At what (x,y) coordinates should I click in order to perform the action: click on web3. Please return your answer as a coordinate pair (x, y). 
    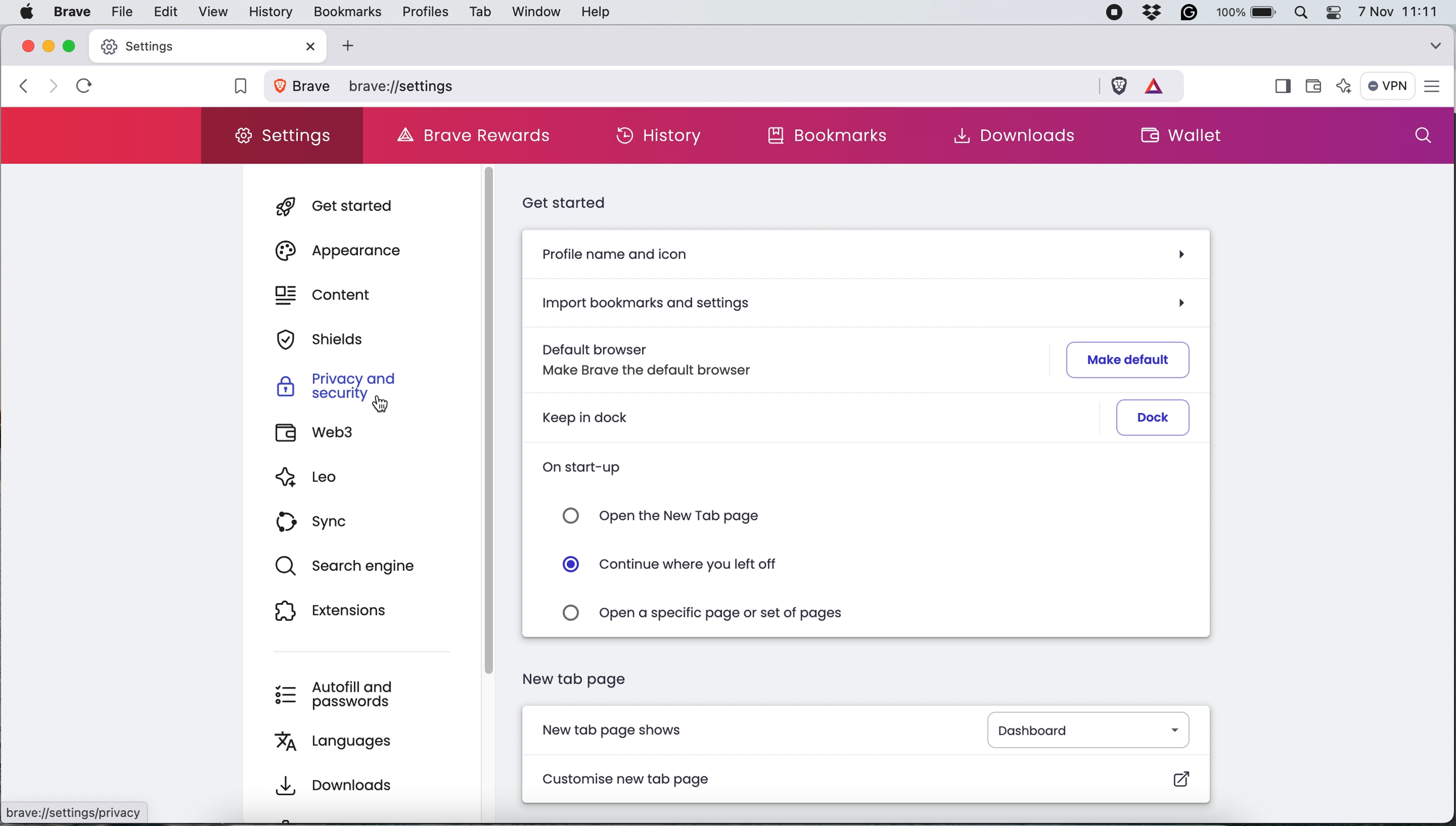
    Looking at the image, I should click on (317, 432).